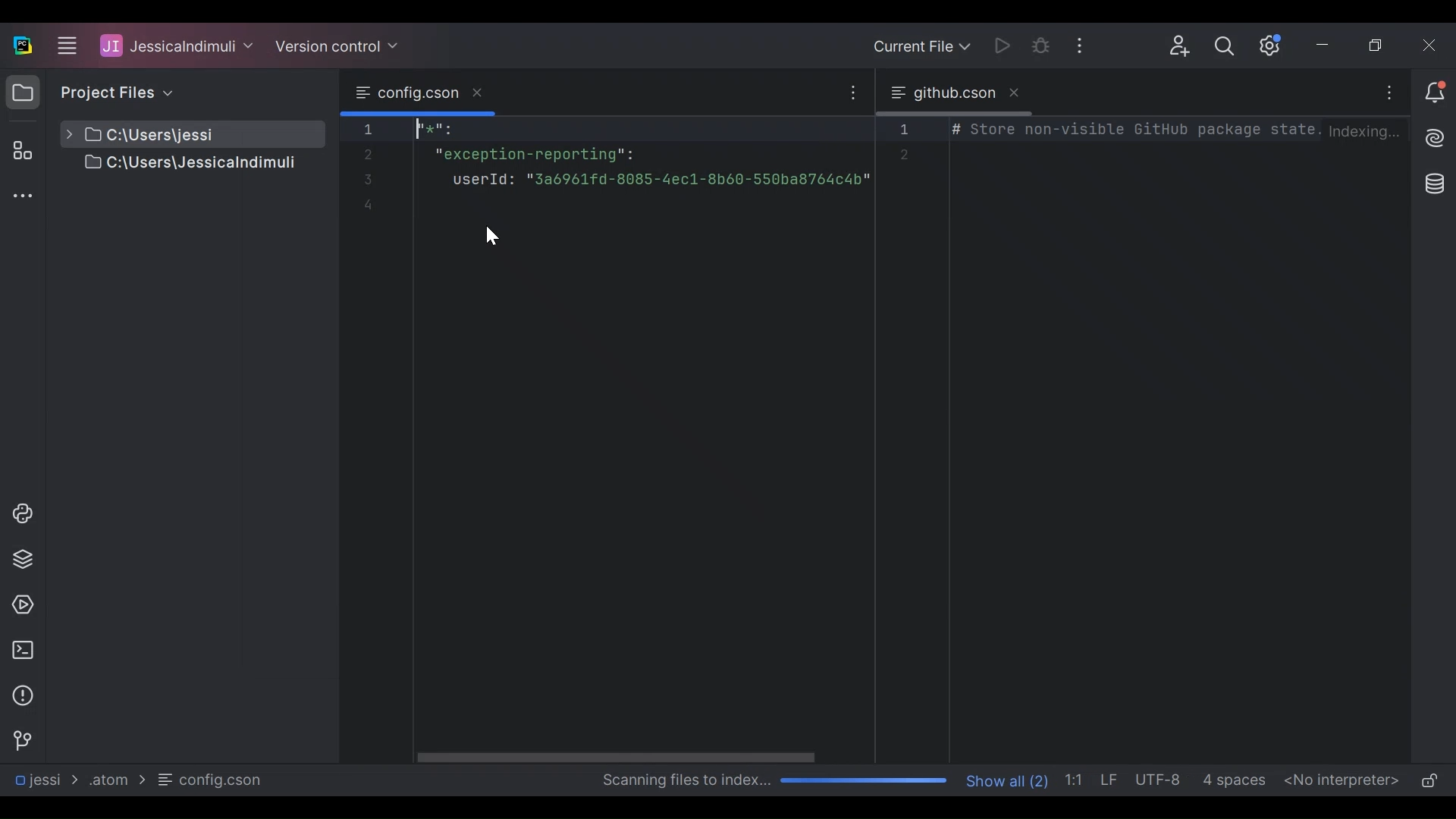 The height and width of the screenshot is (819, 1456). Describe the element at coordinates (20, 150) in the screenshot. I see `Structure` at that location.